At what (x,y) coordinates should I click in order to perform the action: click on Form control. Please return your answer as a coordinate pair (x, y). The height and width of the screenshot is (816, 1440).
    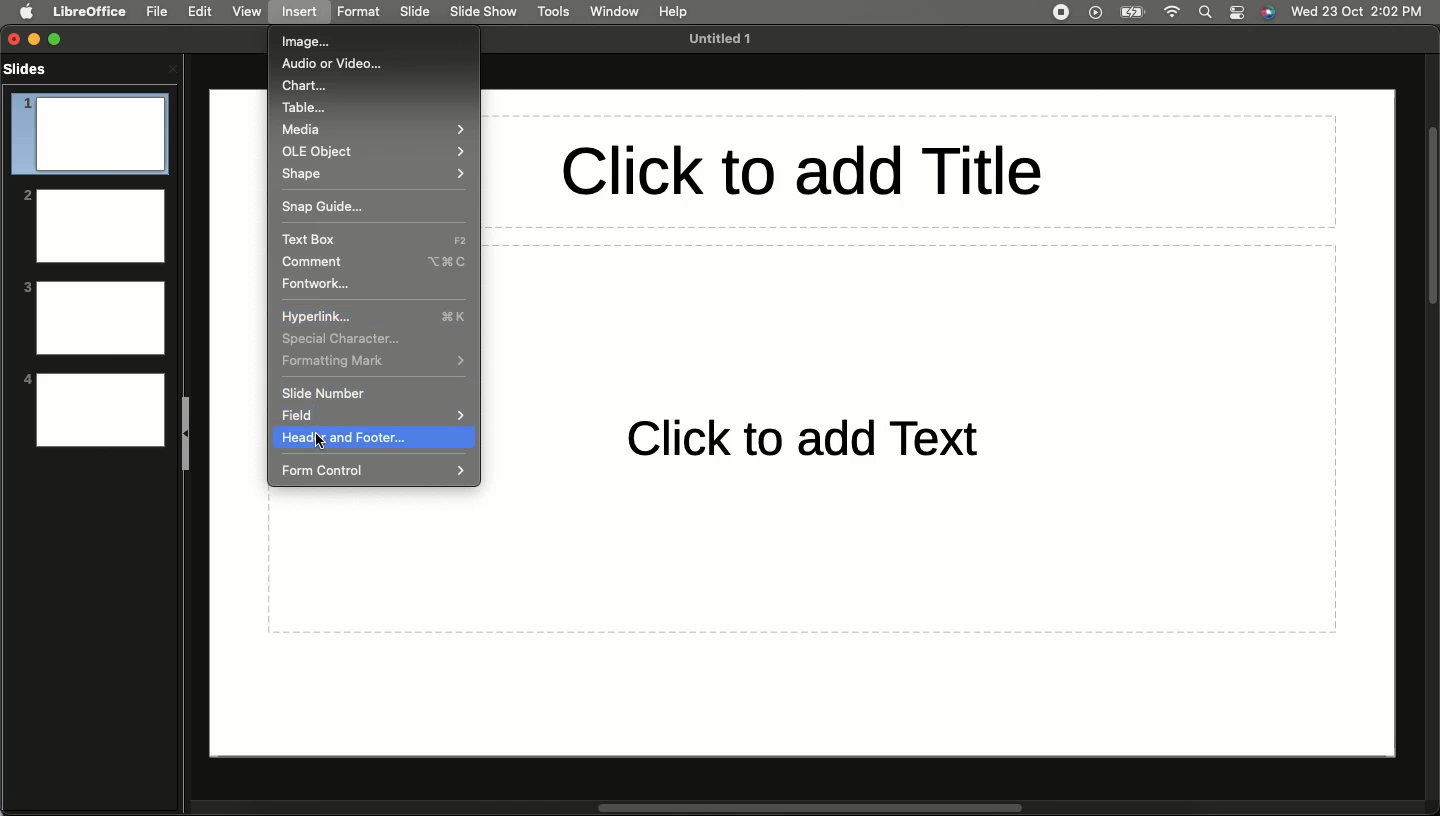
    Looking at the image, I should click on (373, 471).